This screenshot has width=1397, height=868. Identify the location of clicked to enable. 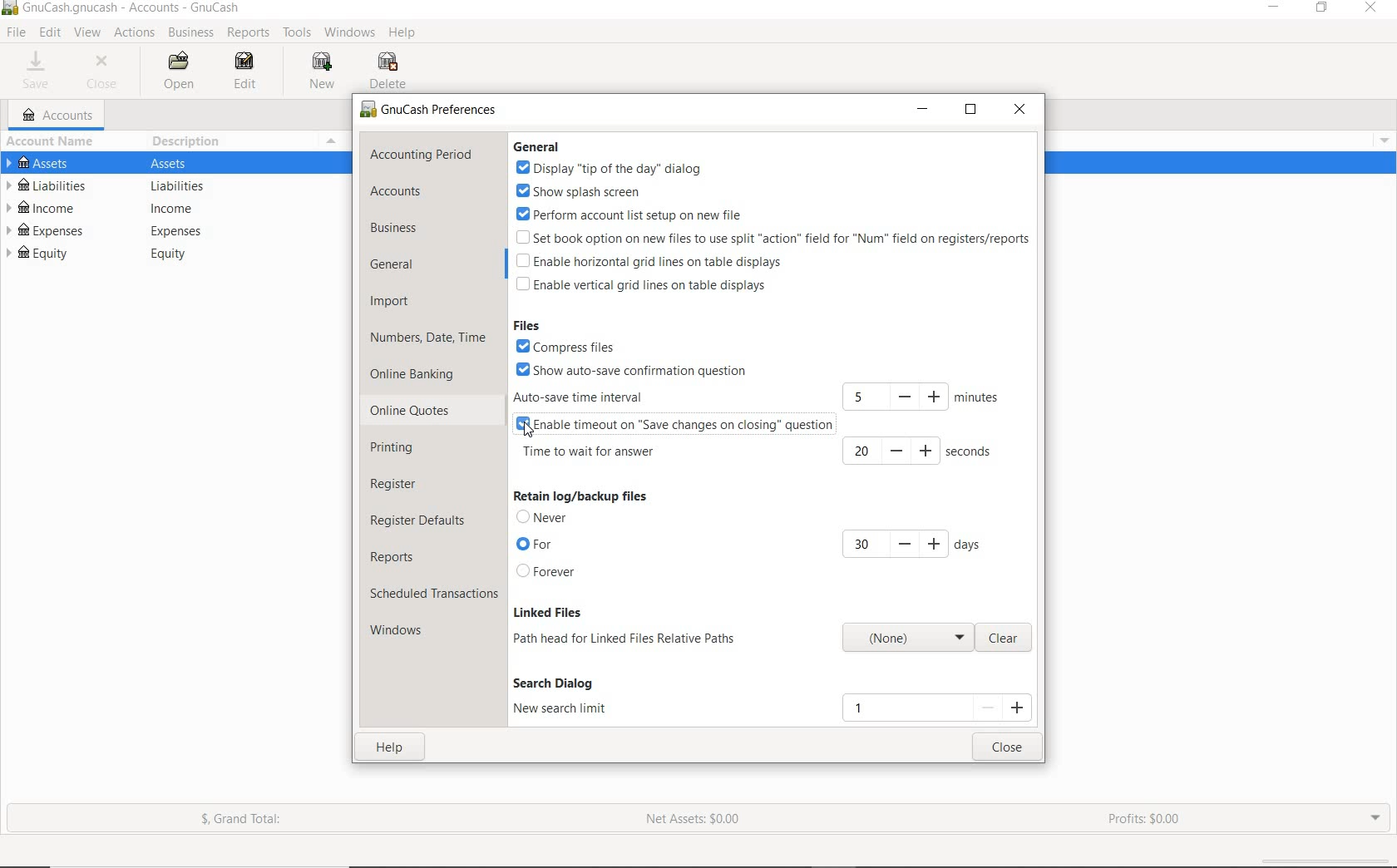
(528, 431).